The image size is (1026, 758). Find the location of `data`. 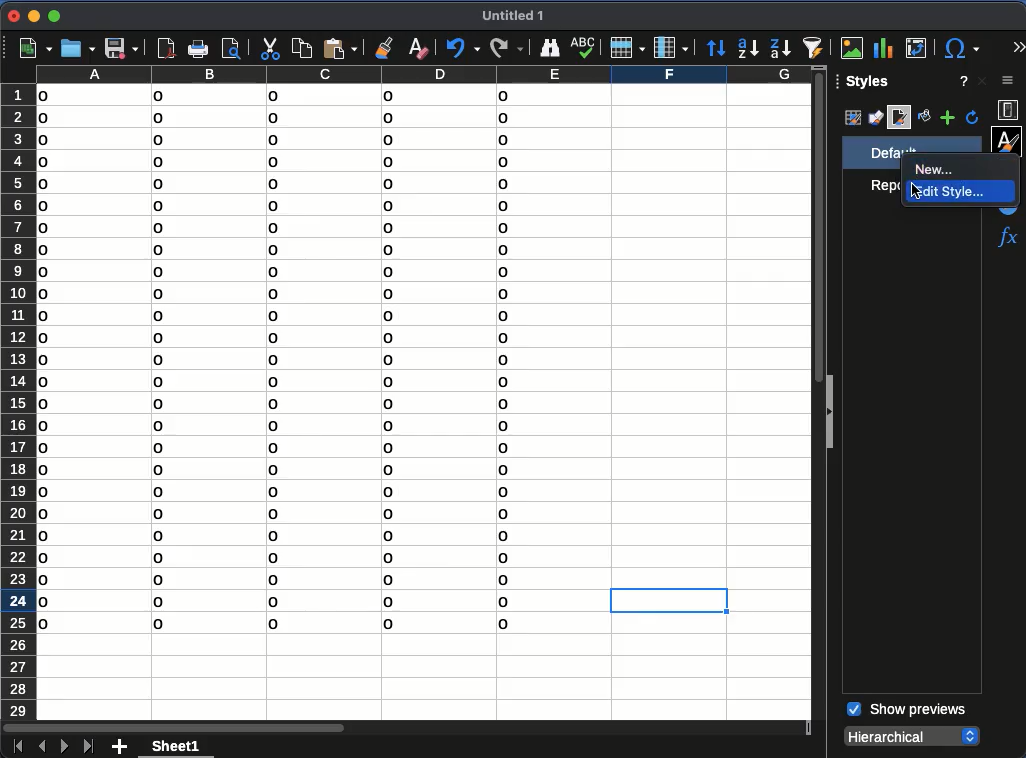

data is located at coordinates (282, 365).